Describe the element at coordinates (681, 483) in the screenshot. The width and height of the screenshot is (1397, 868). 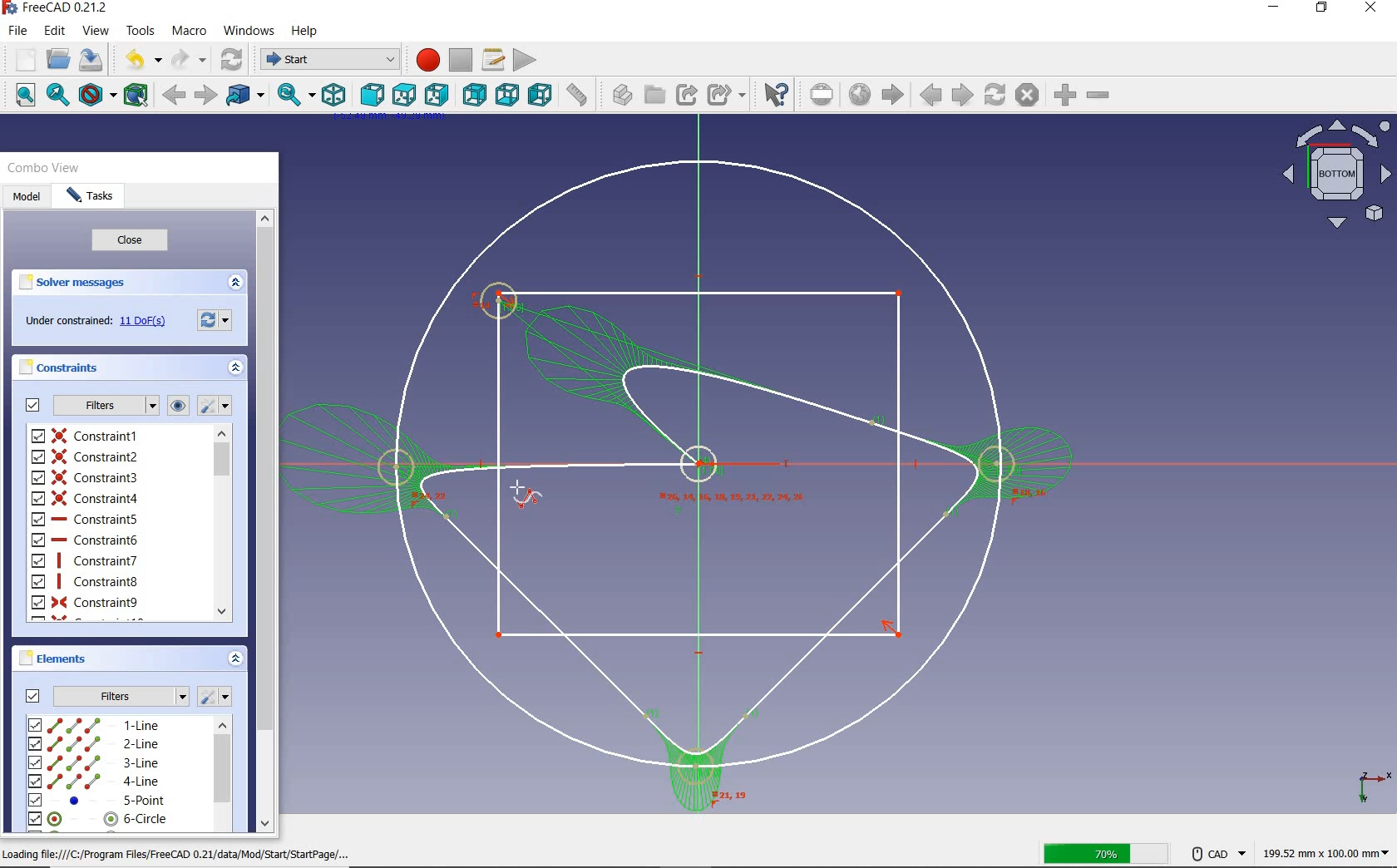
I see `design` at that location.